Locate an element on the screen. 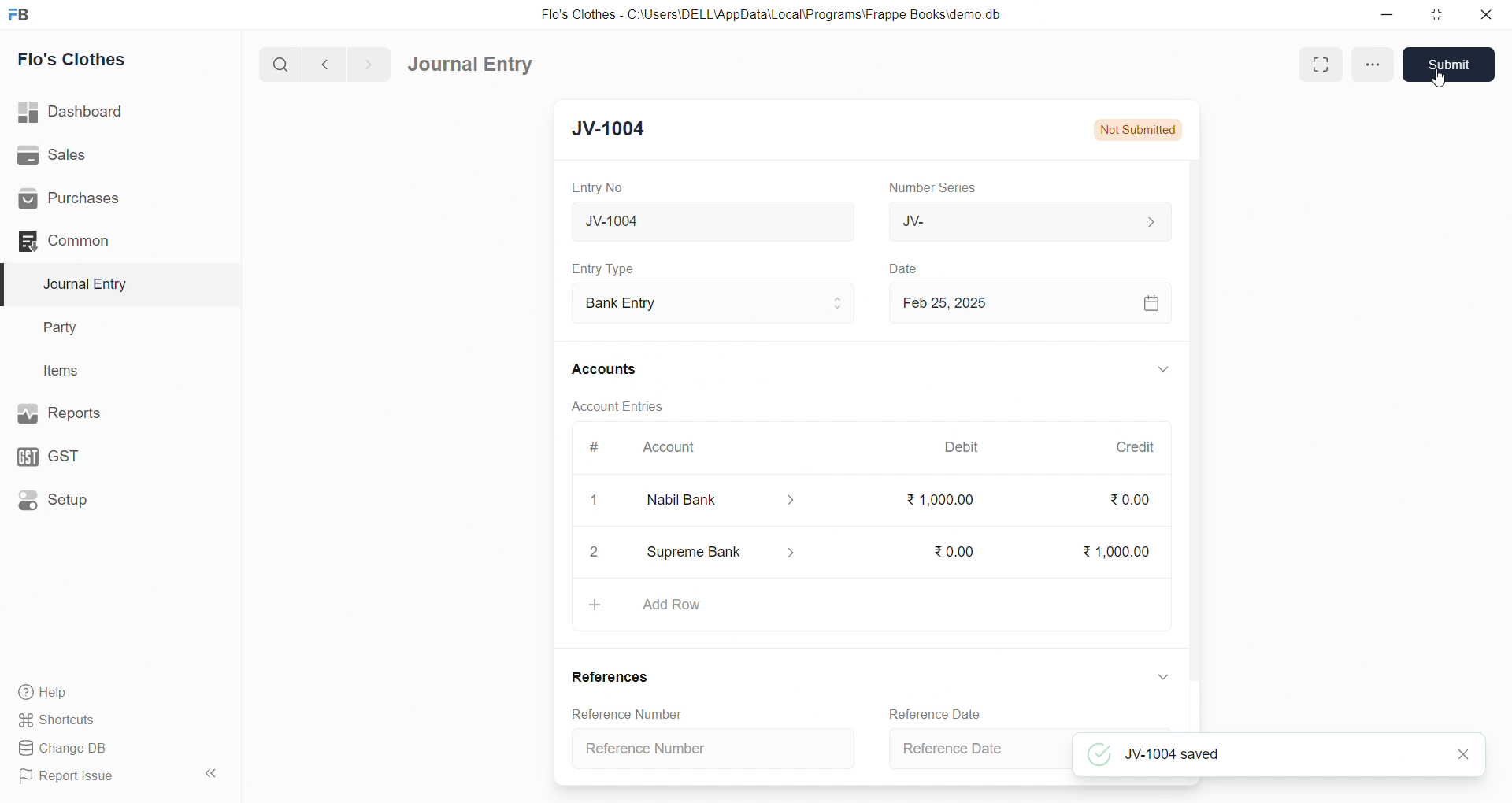  Help is located at coordinates (114, 691).